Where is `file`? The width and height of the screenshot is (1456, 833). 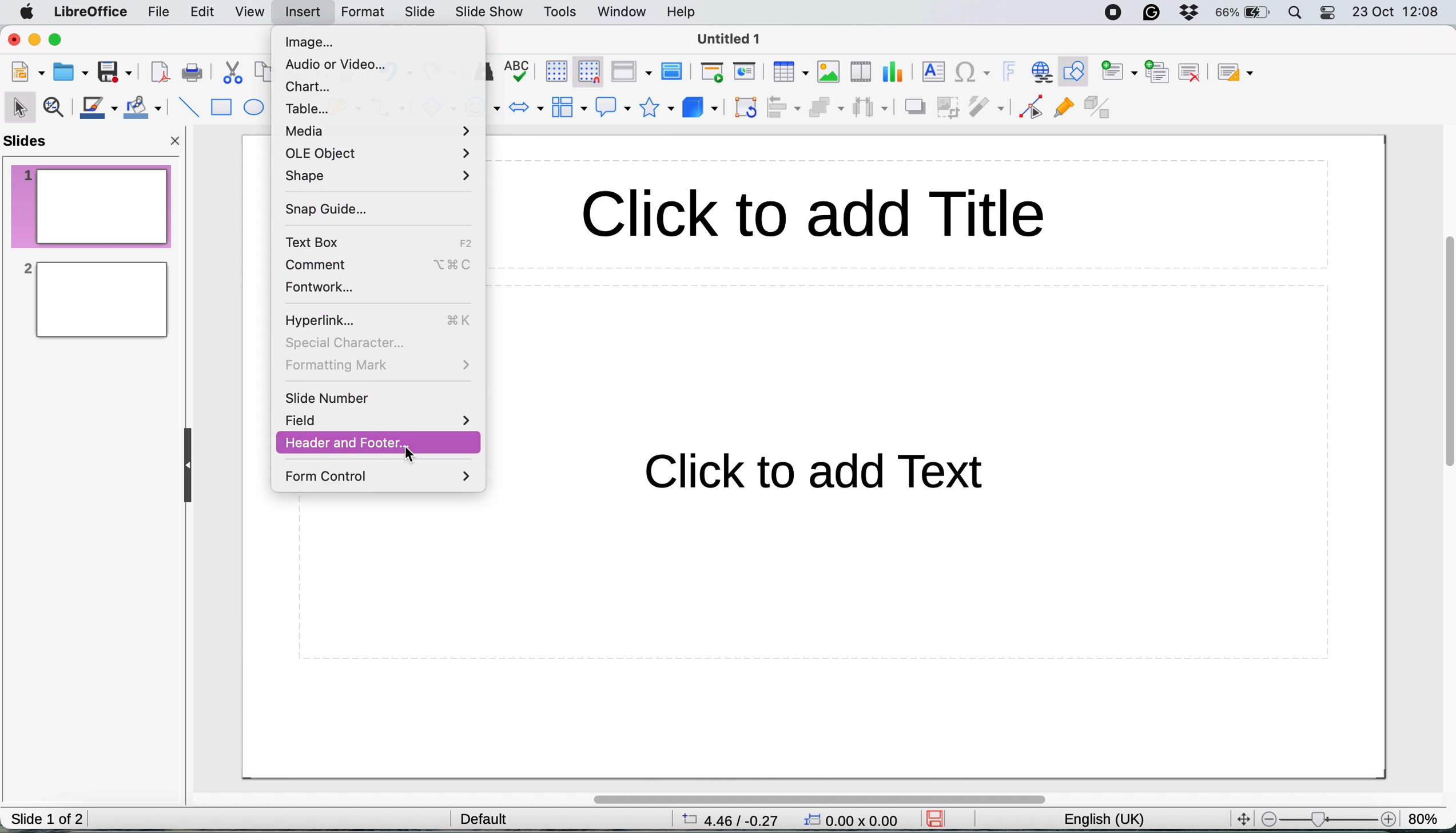
file is located at coordinates (161, 12).